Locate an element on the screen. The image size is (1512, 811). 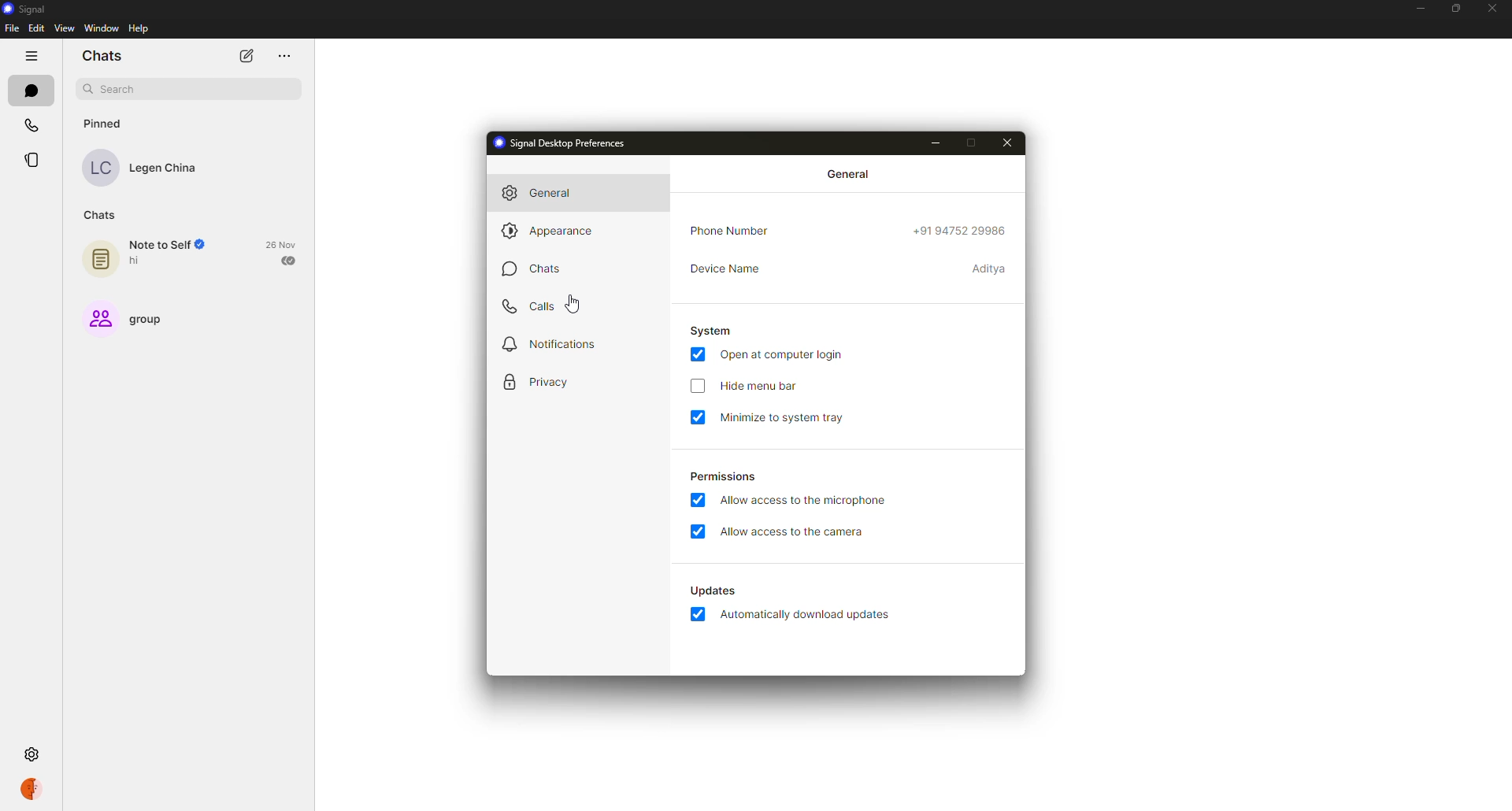
hide menu bar is located at coordinates (759, 387).